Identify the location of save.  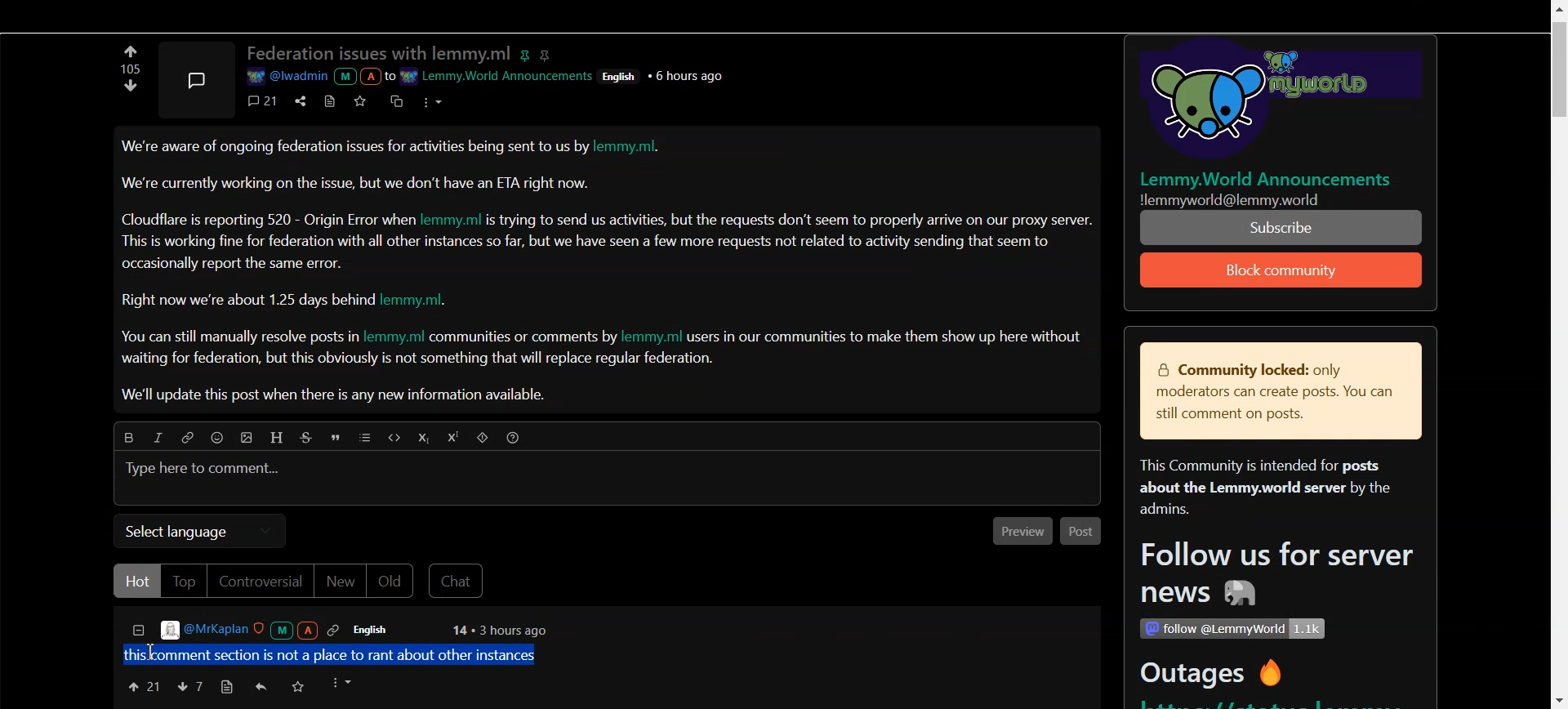
(298, 686).